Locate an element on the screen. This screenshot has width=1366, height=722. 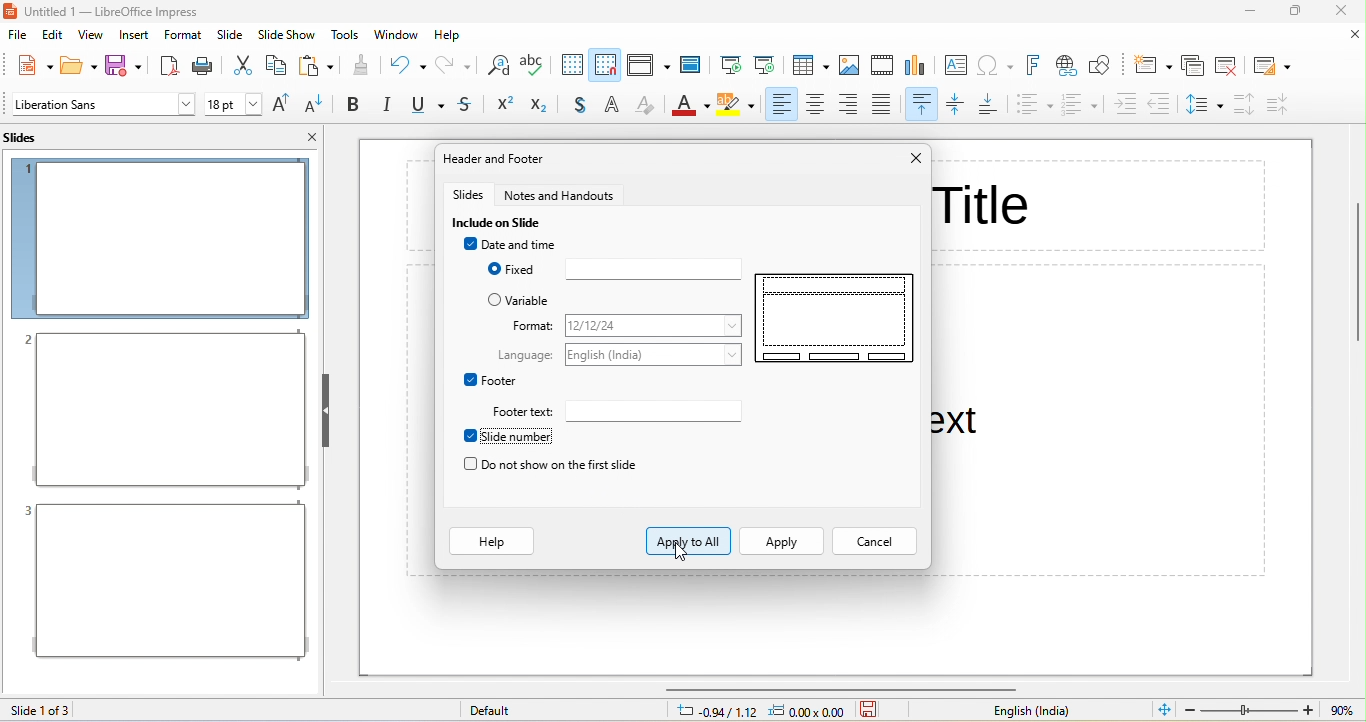
align right is located at coordinates (852, 105).